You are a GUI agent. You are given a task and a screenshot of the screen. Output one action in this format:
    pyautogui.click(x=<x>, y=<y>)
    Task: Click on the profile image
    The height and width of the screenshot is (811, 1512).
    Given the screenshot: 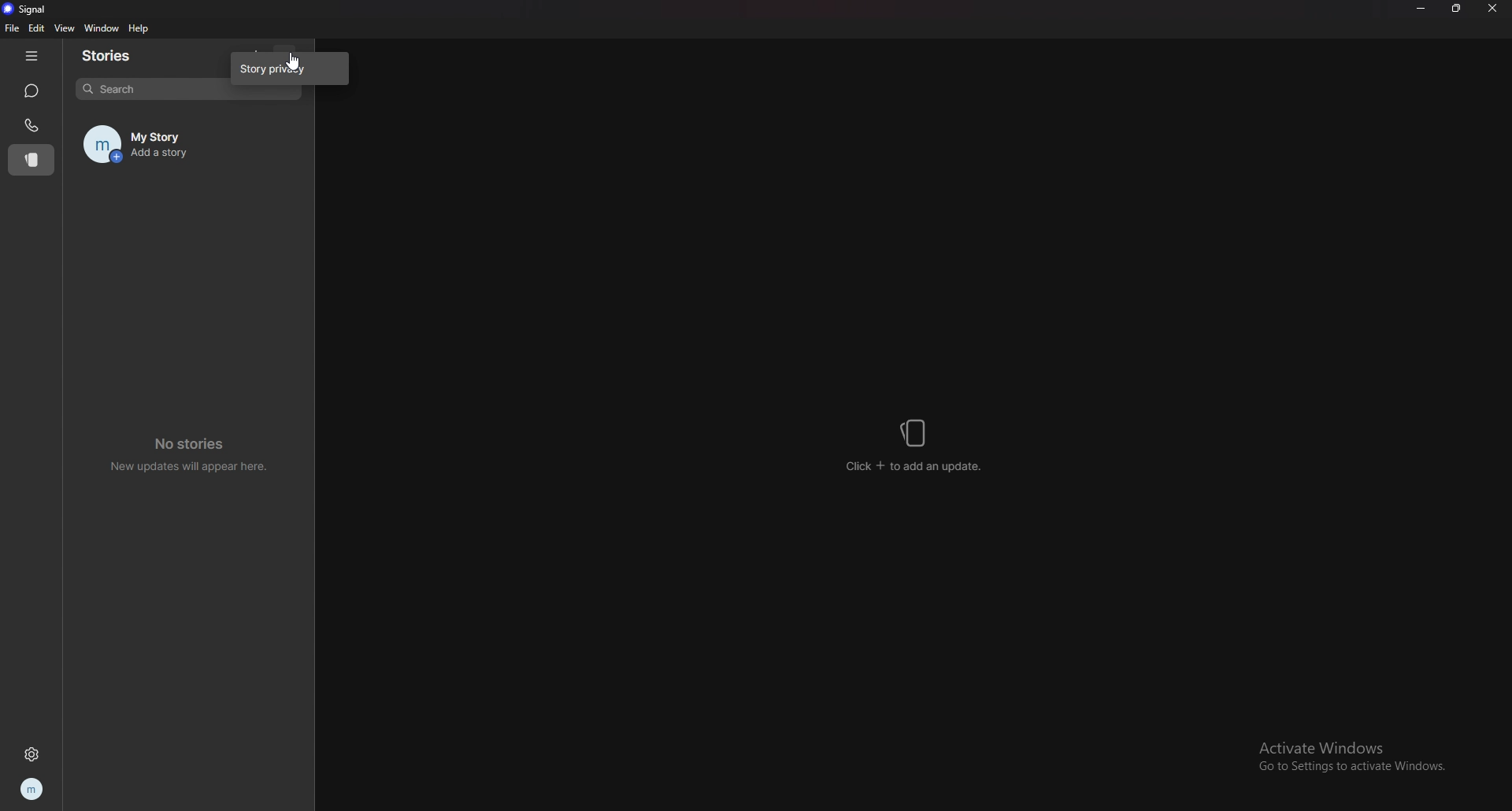 What is the action you would take?
    pyautogui.click(x=96, y=143)
    